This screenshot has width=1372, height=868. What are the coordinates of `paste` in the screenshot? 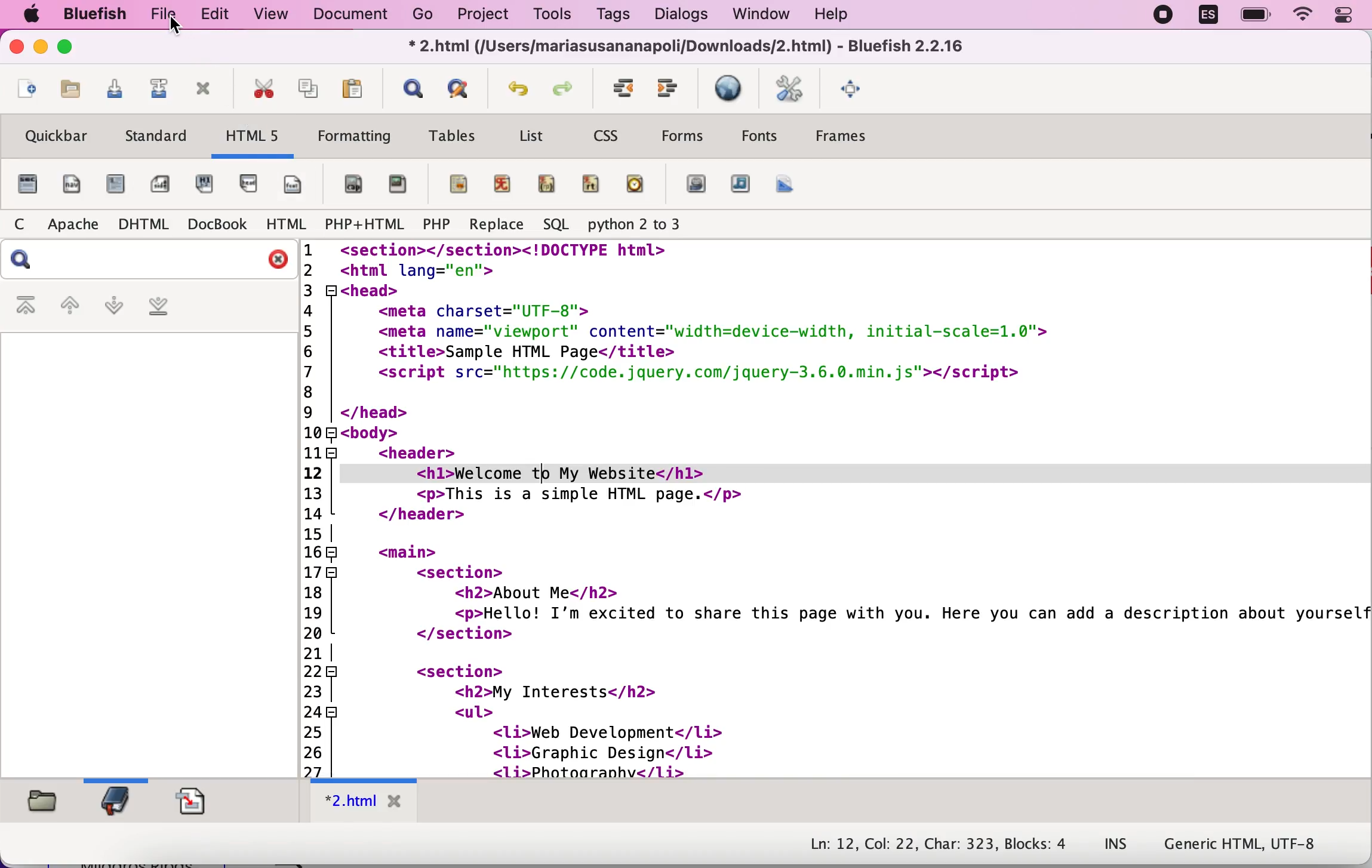 It's located at (356, 86).